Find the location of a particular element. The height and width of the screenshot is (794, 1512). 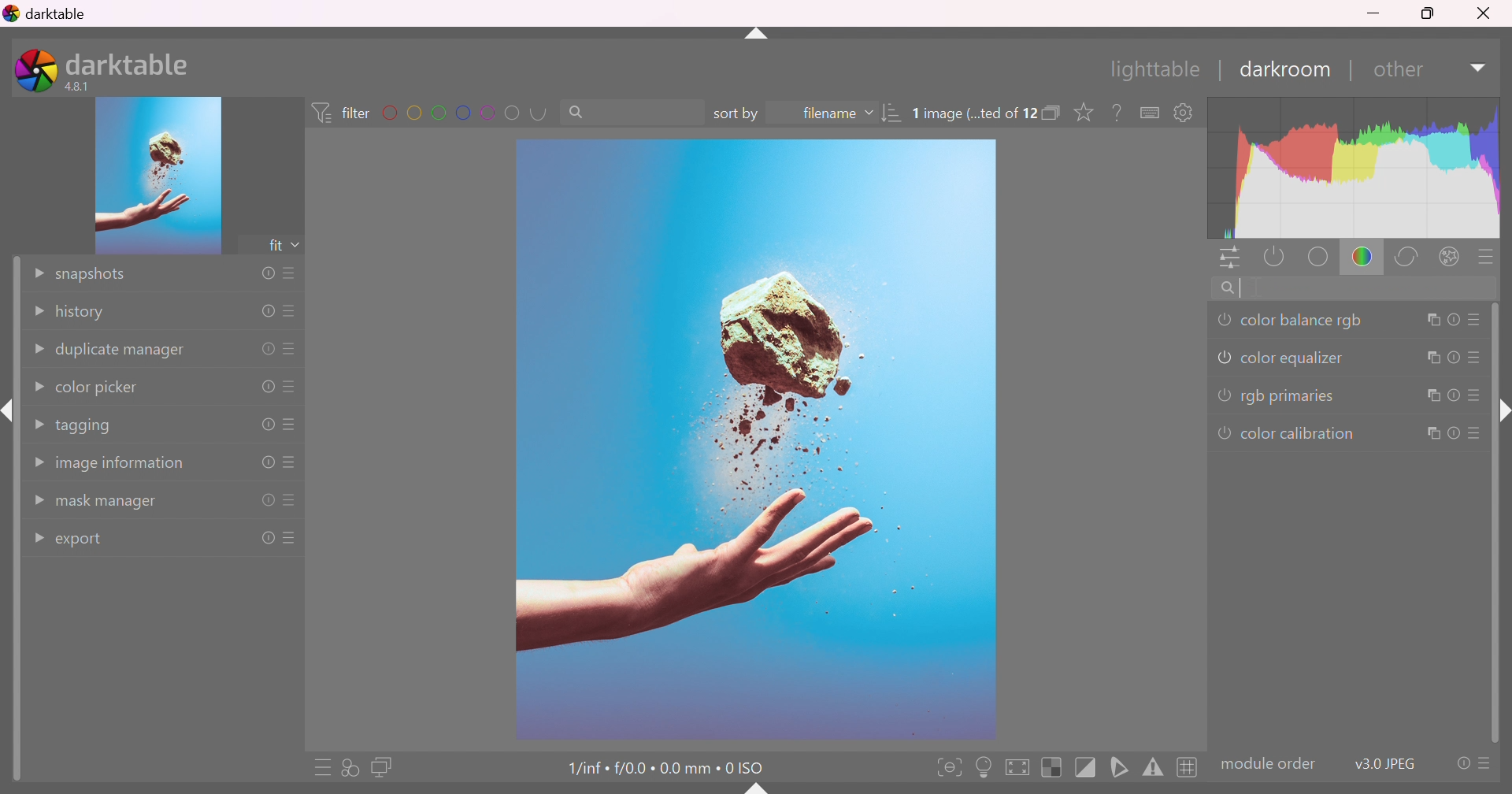

image is located at coordinates (758, 440).